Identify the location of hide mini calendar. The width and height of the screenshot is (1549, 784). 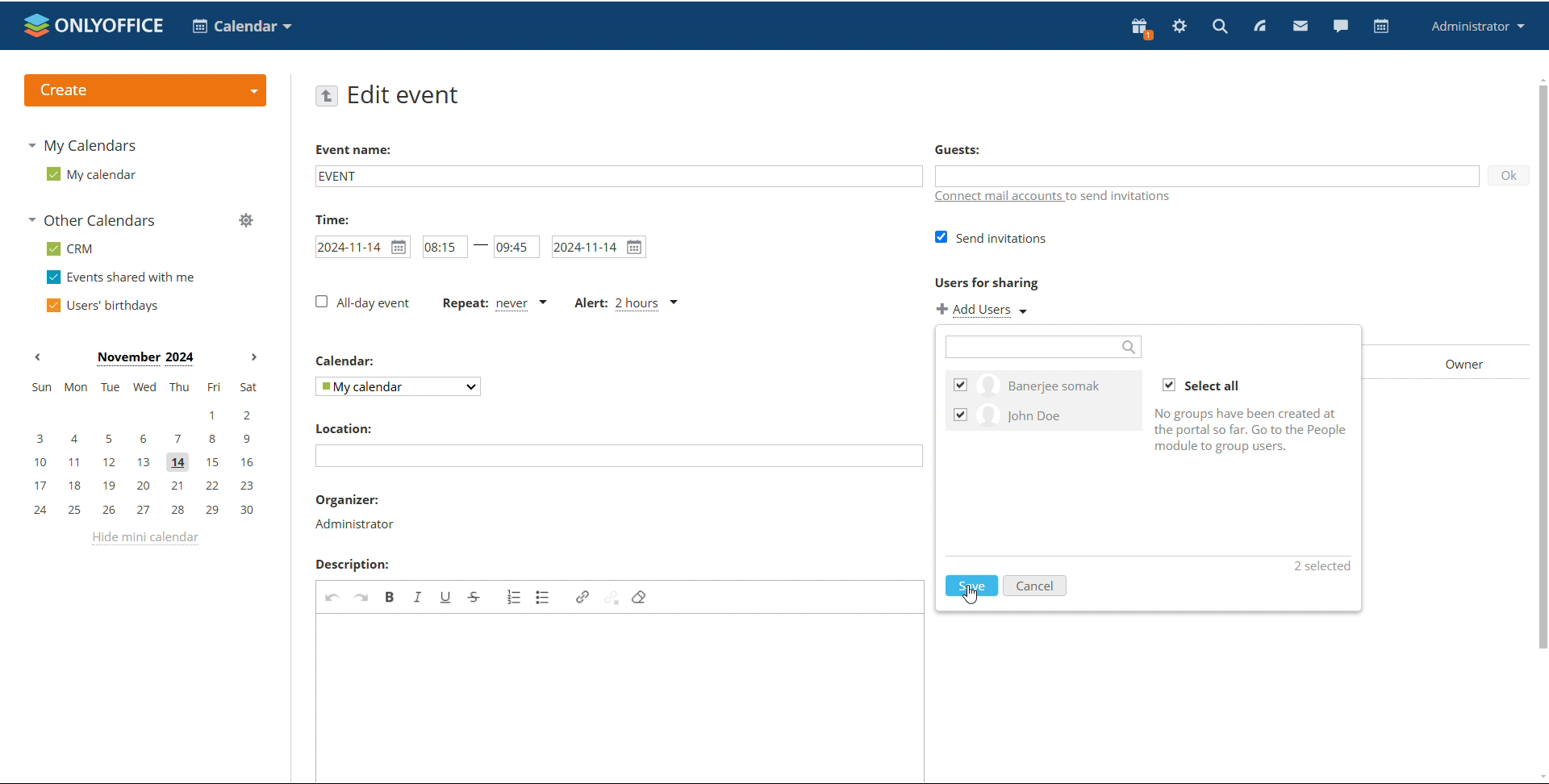
(148, 541).